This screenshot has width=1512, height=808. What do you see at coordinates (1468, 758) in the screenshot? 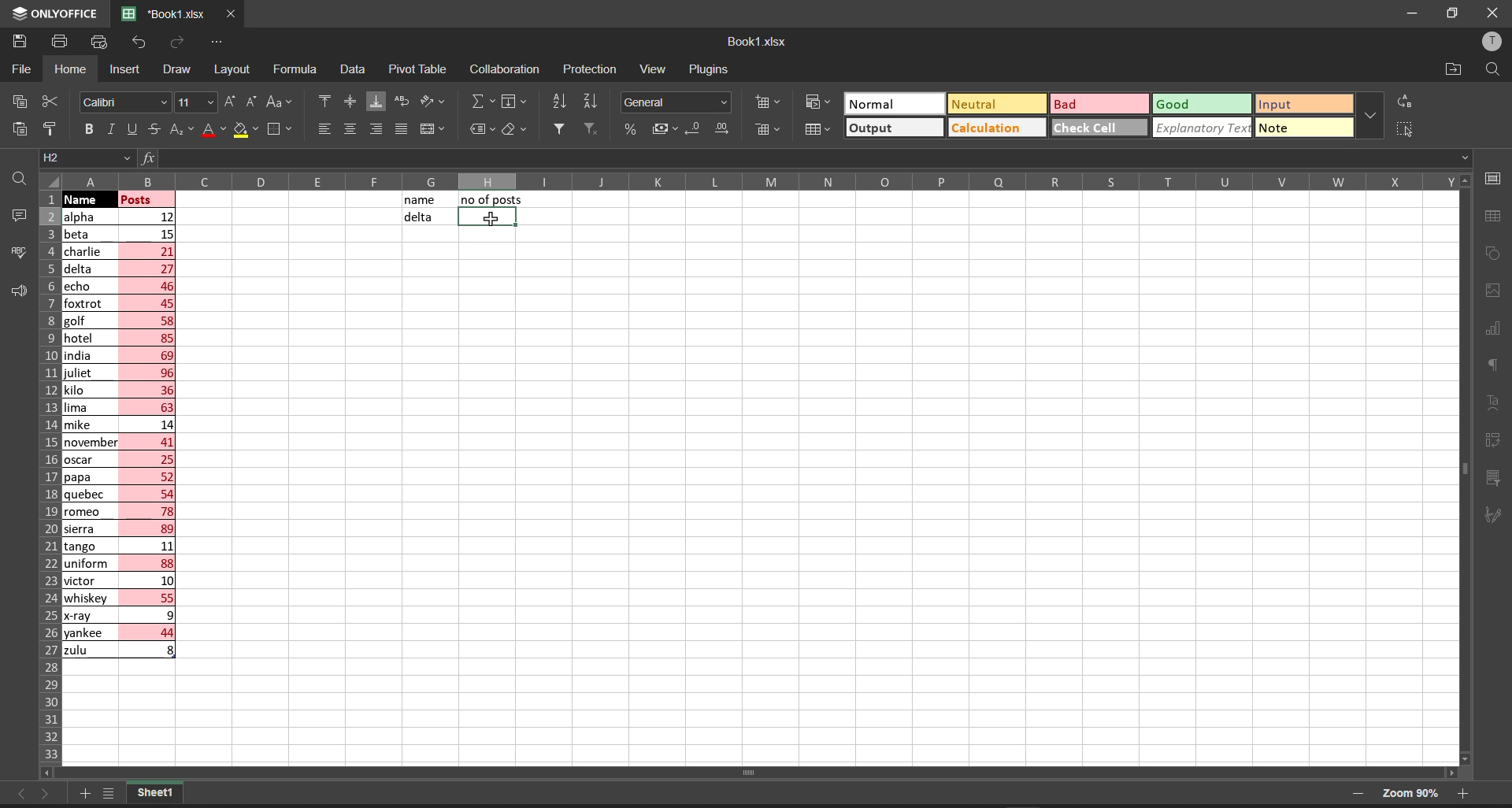
I see `scroll down` at bounding box center [1468, 758].